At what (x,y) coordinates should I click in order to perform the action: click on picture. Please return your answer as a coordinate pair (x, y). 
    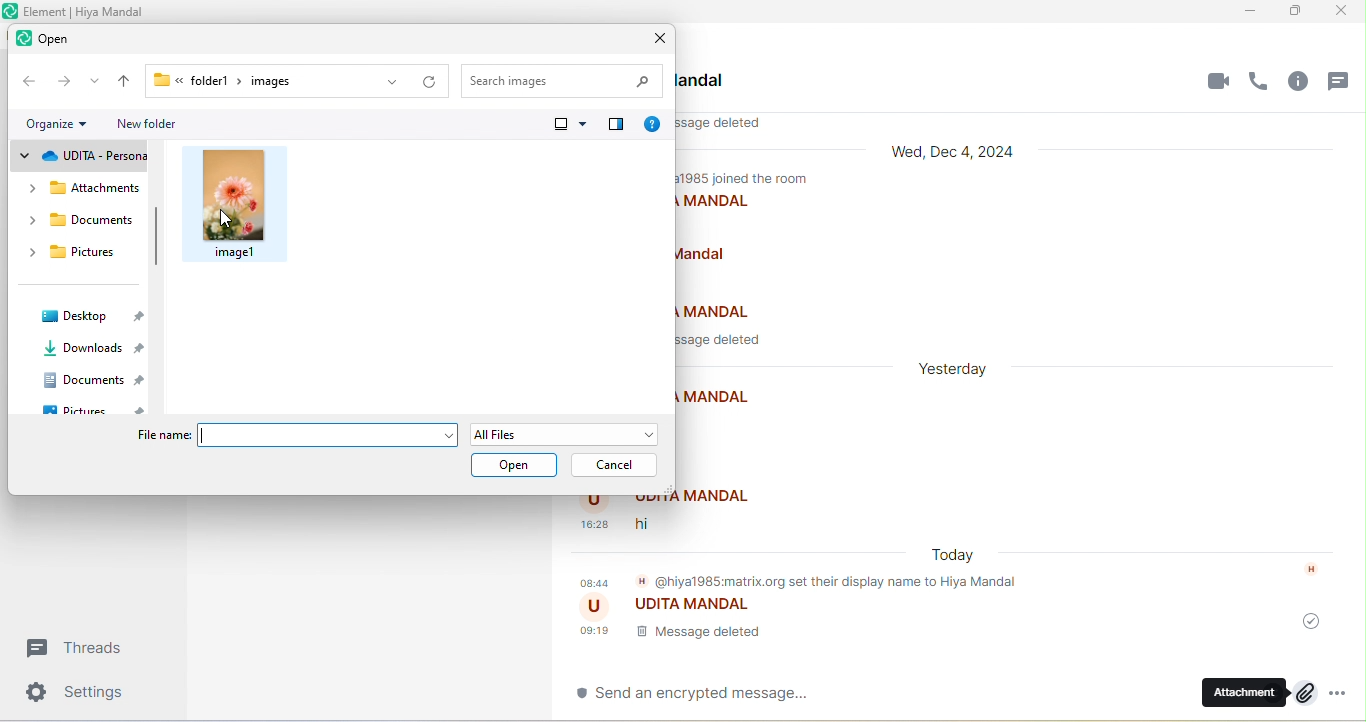
    Looking at the image, I should click on (100, 409).